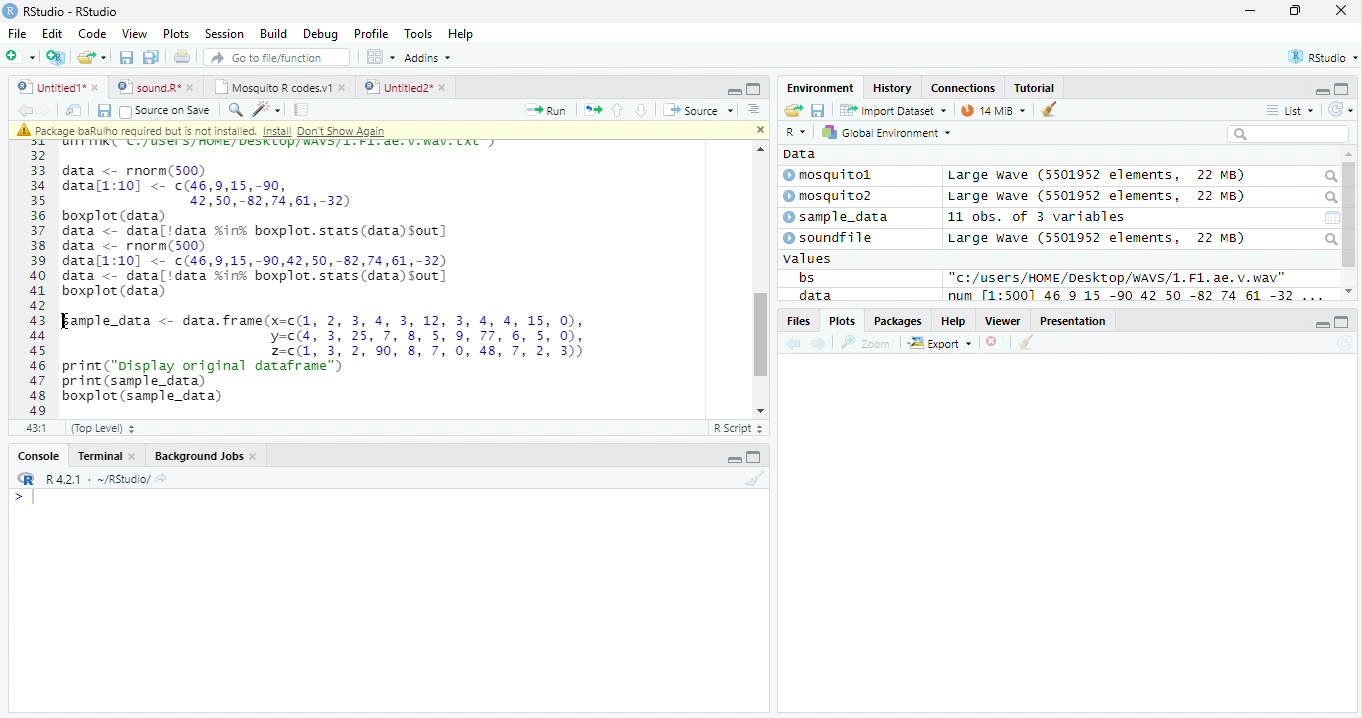 The width and height of the screenshot is (1362, 718). What do you see at coordinates (74, 111) in the screenshot?
I see `Show in new window` at bounding box center [74, 111].